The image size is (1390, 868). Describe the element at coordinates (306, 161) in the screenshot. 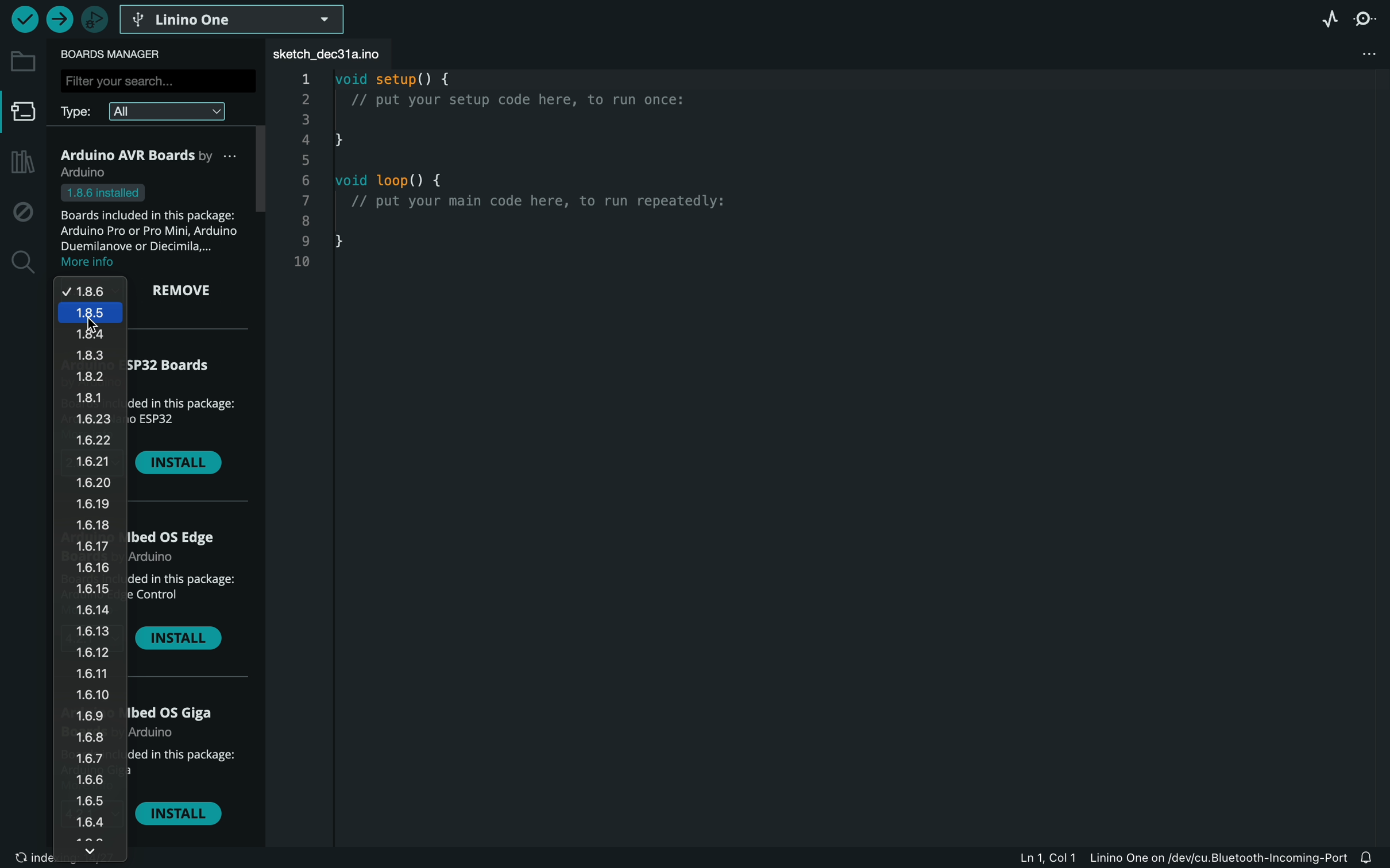

I see `5` at that location.